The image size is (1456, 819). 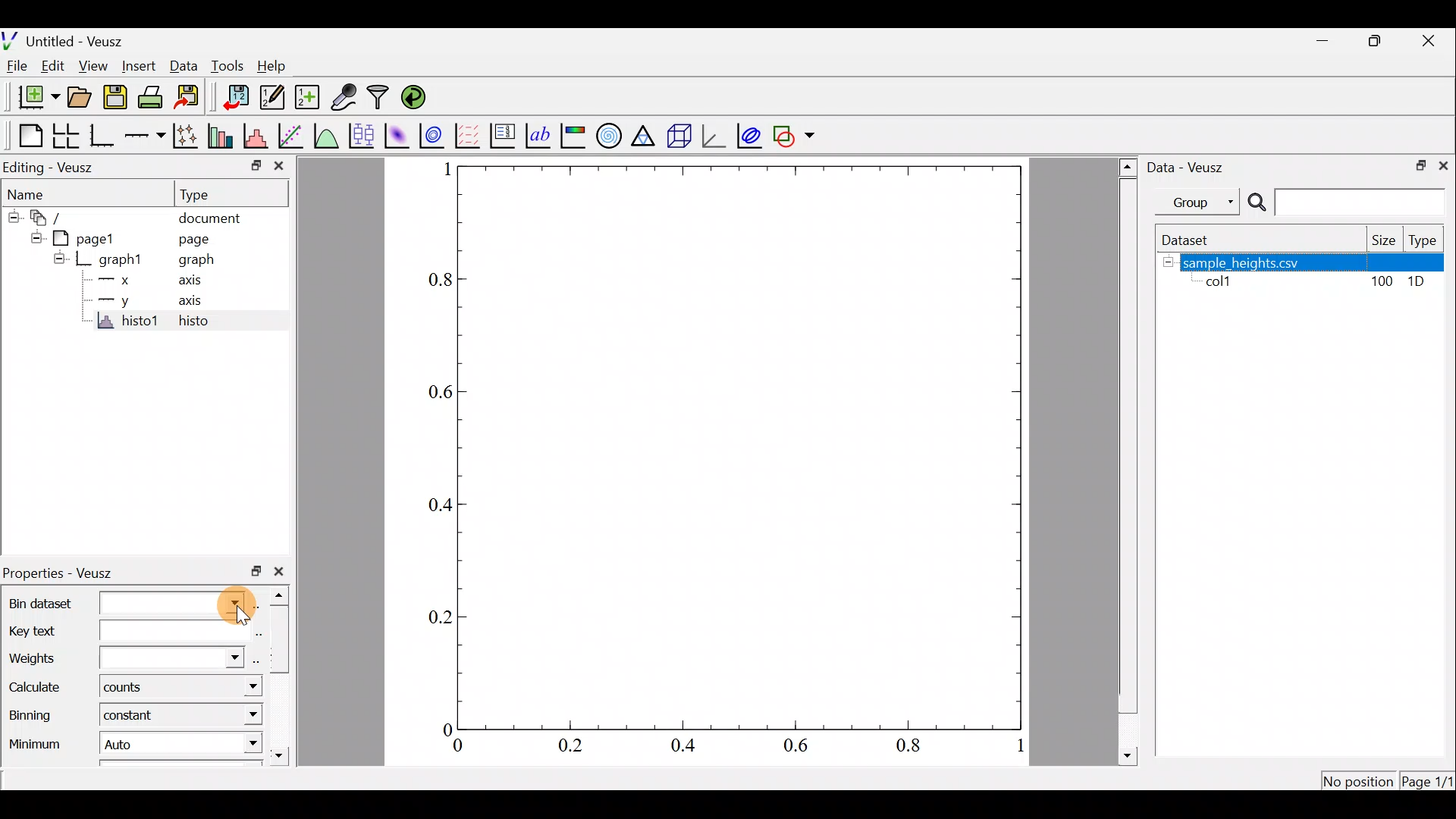 What do you see at coordinates (124, 323) in the screenshot?
I see `histo1` at bounding box center [124, 323].